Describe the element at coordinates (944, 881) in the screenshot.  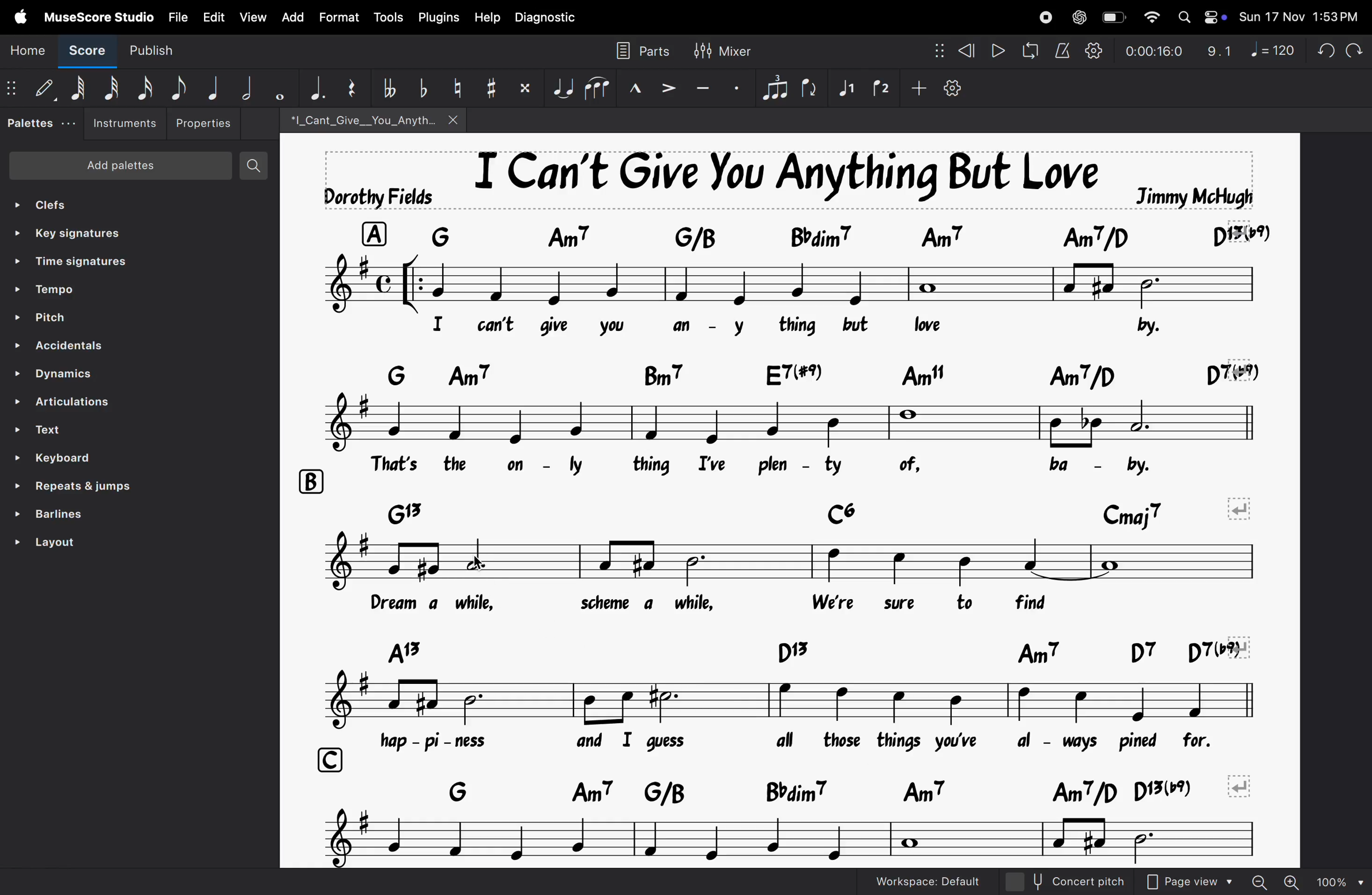
I see `work space` at that location.